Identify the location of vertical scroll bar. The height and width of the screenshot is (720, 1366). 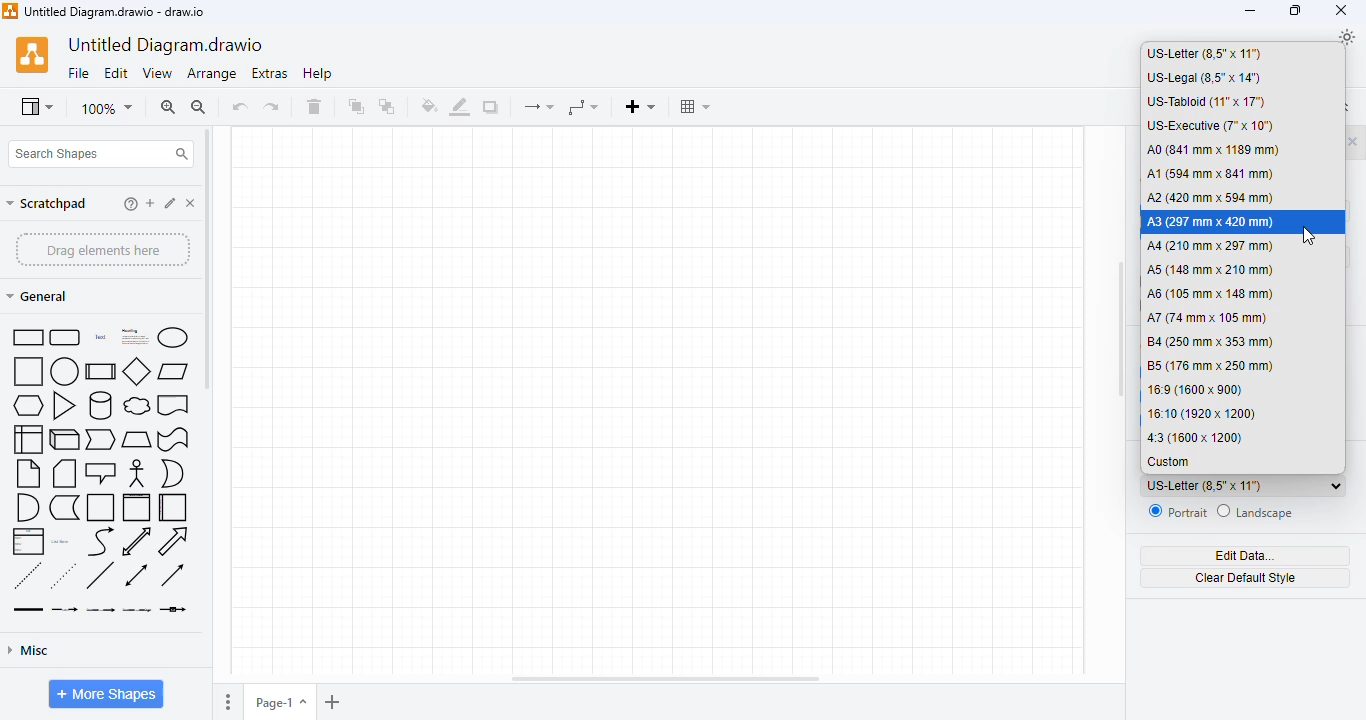
(1121, 331).